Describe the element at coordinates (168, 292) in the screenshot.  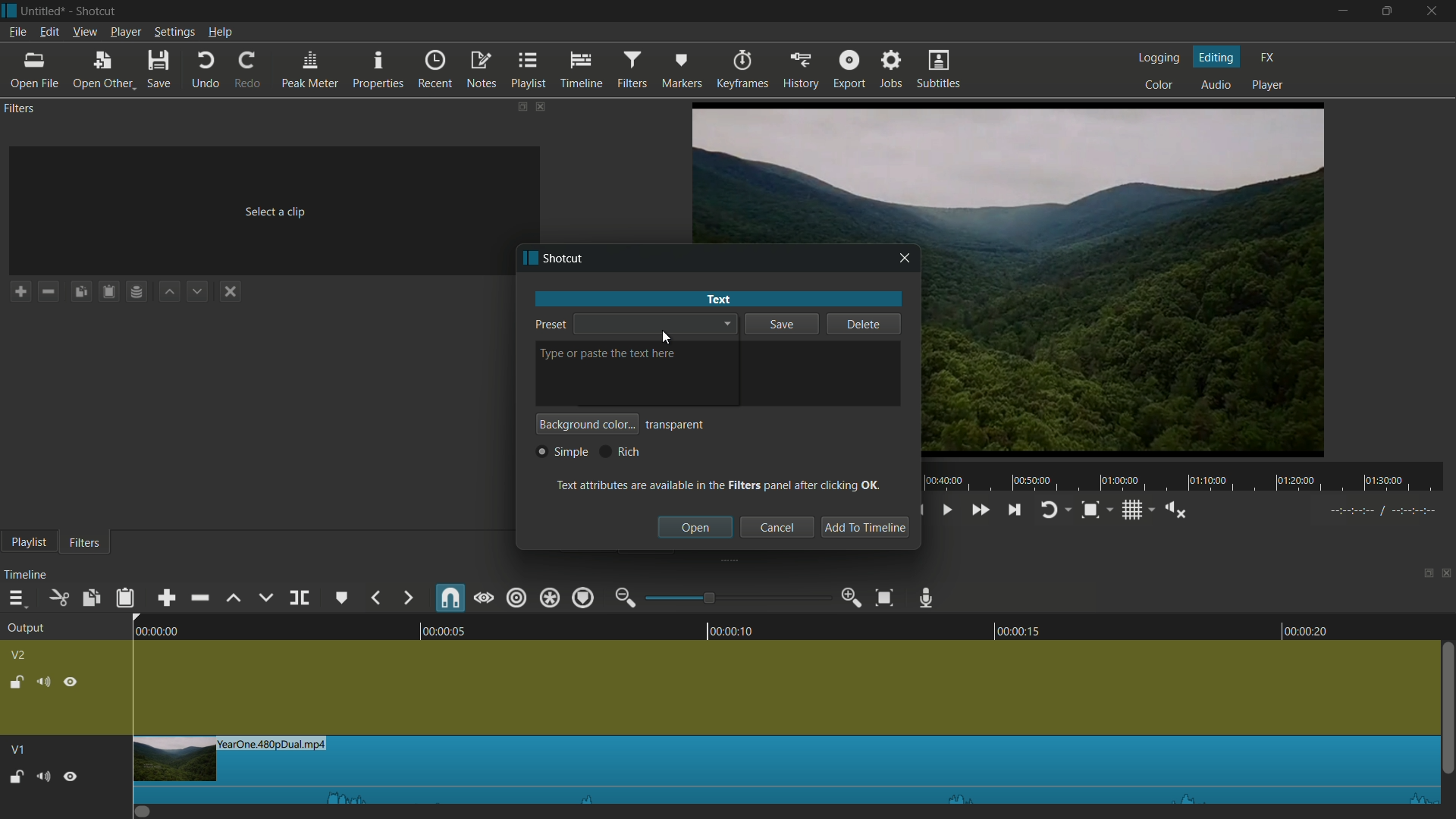
I see `up` at that location.